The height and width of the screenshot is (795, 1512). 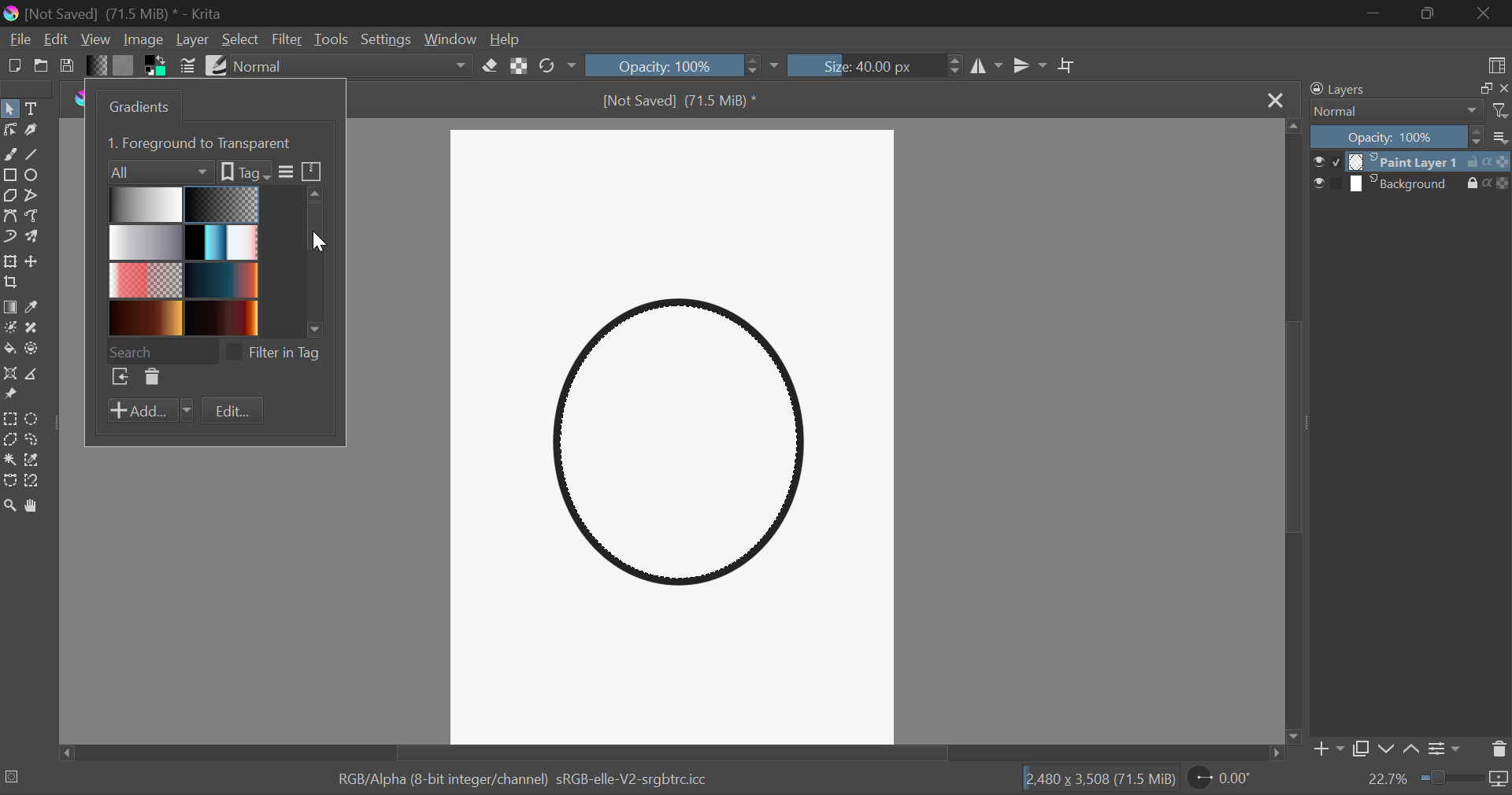 I want to click on Scroll Bar, so click(x=1291, y=434).